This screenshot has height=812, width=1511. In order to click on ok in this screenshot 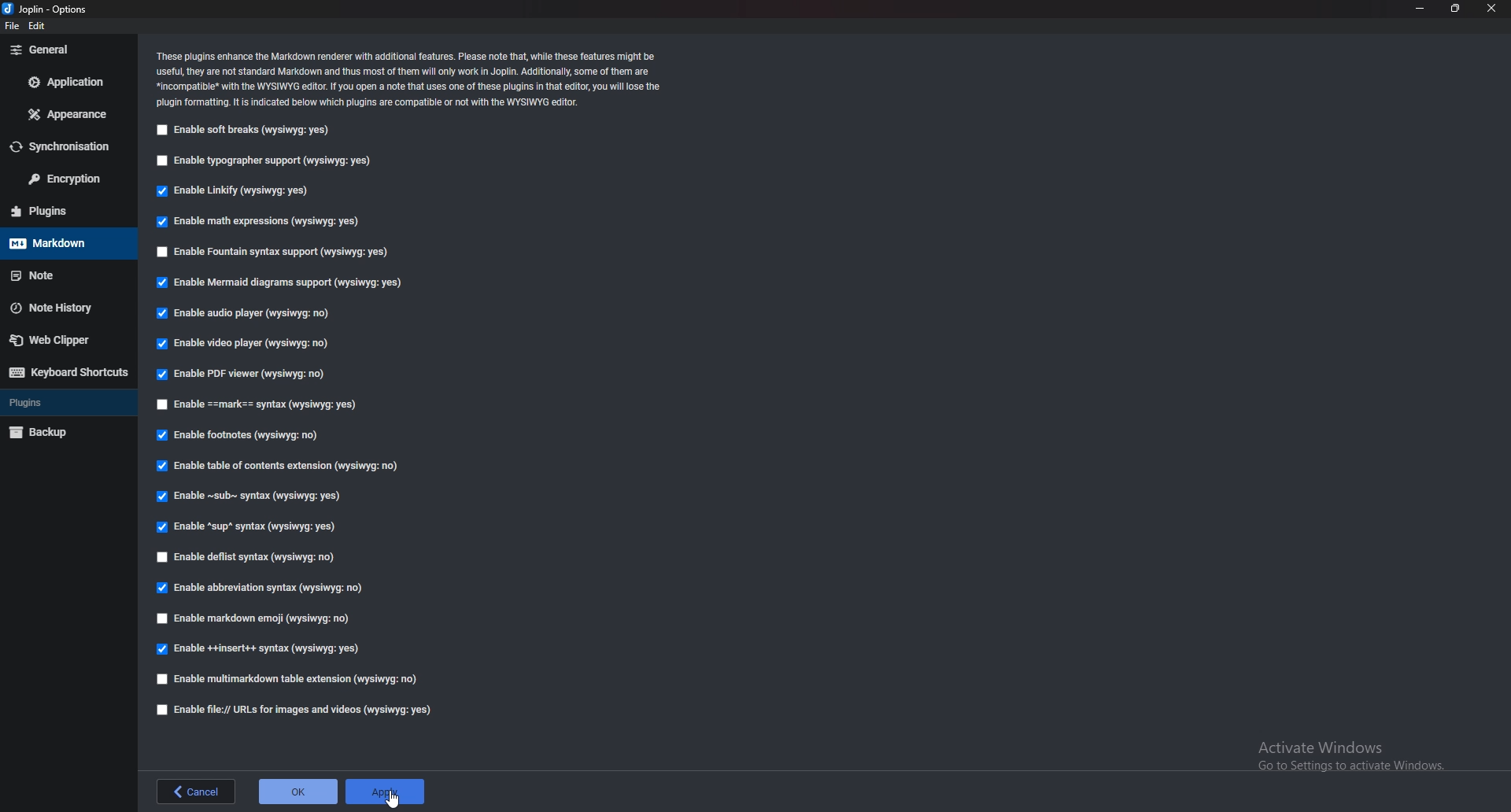, I will do `click(299, 792)`.